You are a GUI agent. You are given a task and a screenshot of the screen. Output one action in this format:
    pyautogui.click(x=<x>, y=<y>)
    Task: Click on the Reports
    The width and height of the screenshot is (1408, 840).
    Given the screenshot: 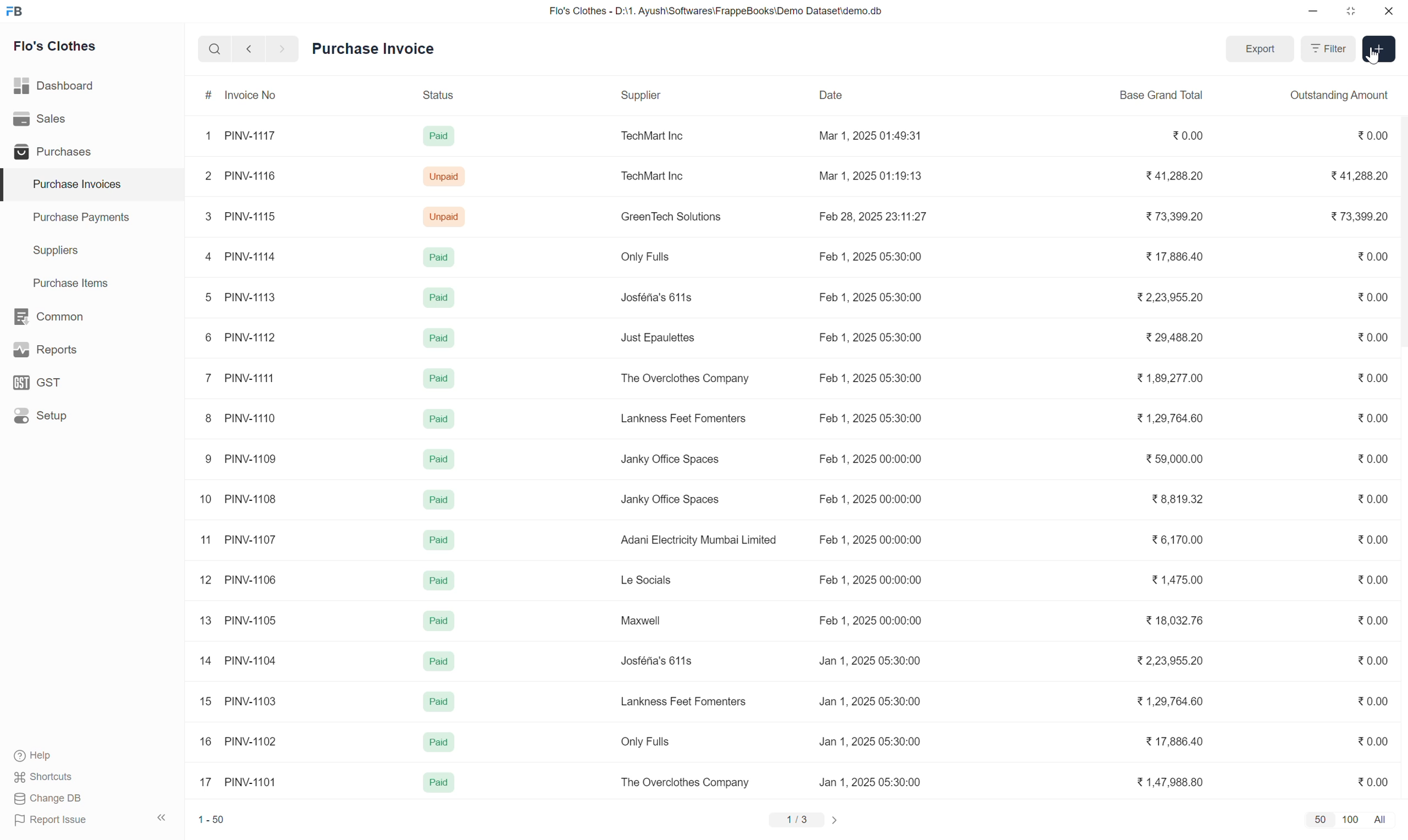 What is the action you would take?
    pyautogui.click(x=92, y=350)
    